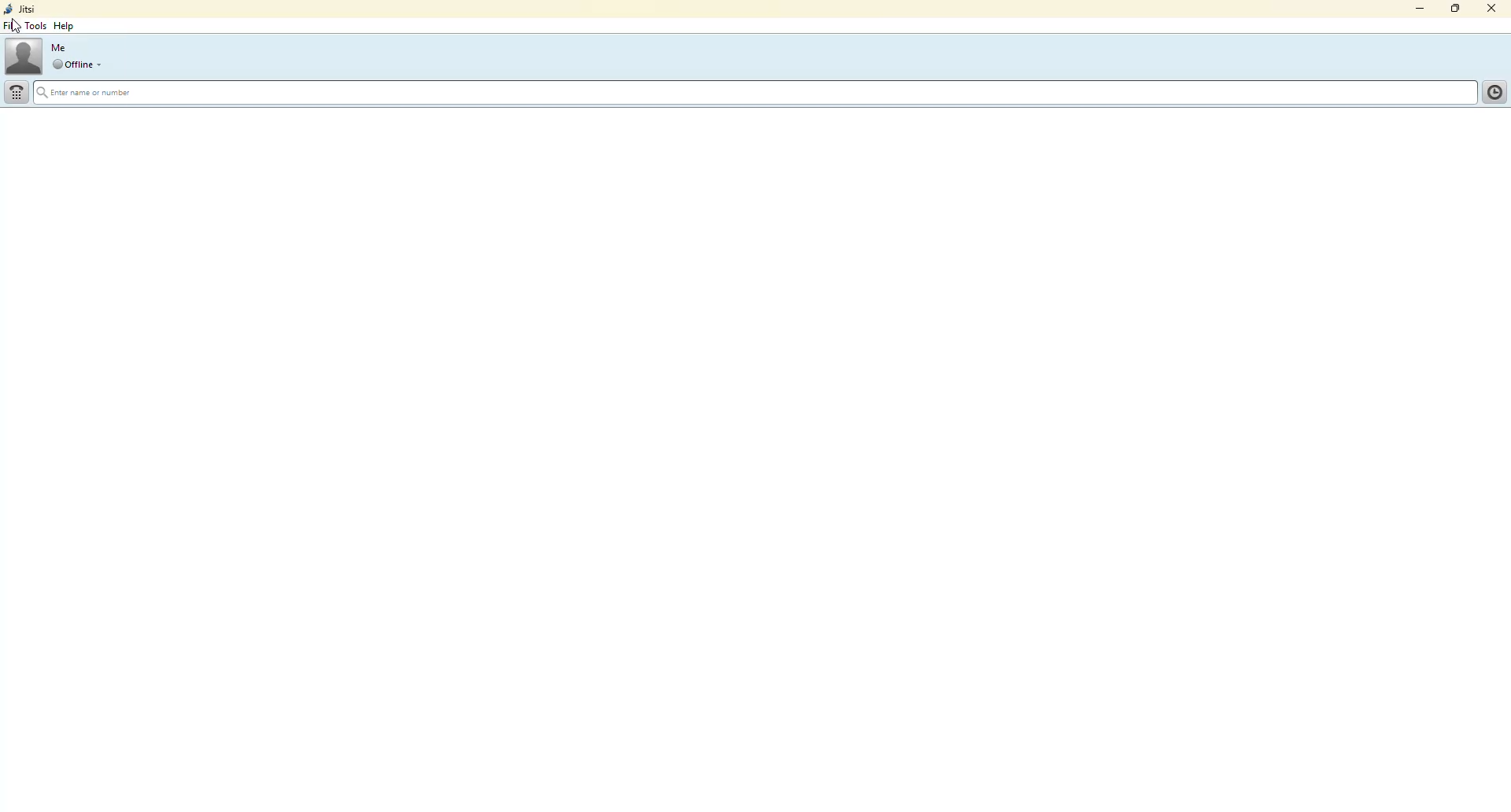 Image resolution: width=1511 pixels, height=812 pixels. Describe the element at coordinates (17, 92) in the screenshot. I see `dial pad` at that location.